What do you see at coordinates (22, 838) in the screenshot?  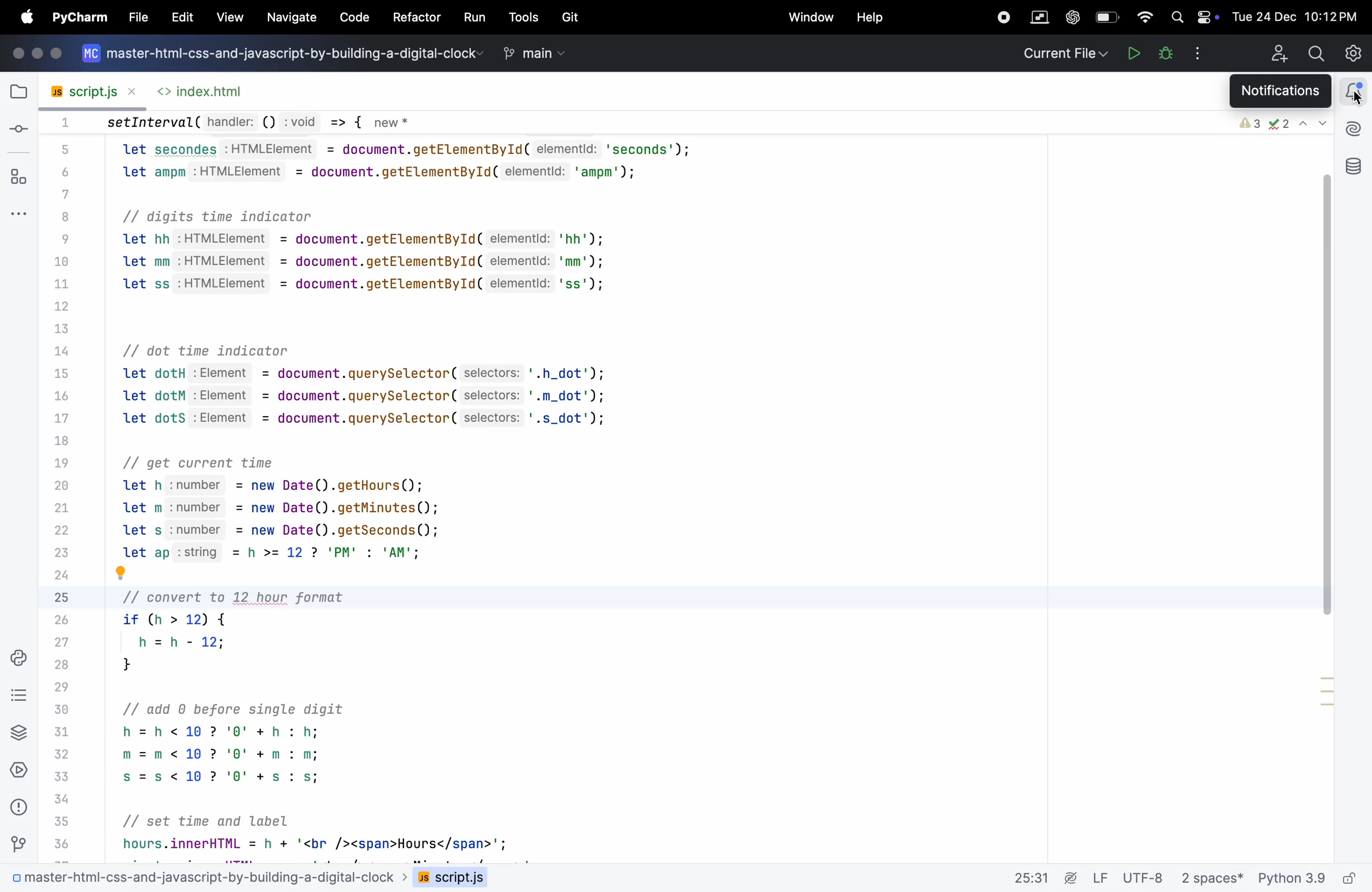 I see `Git` at bounding box center [22, 838].